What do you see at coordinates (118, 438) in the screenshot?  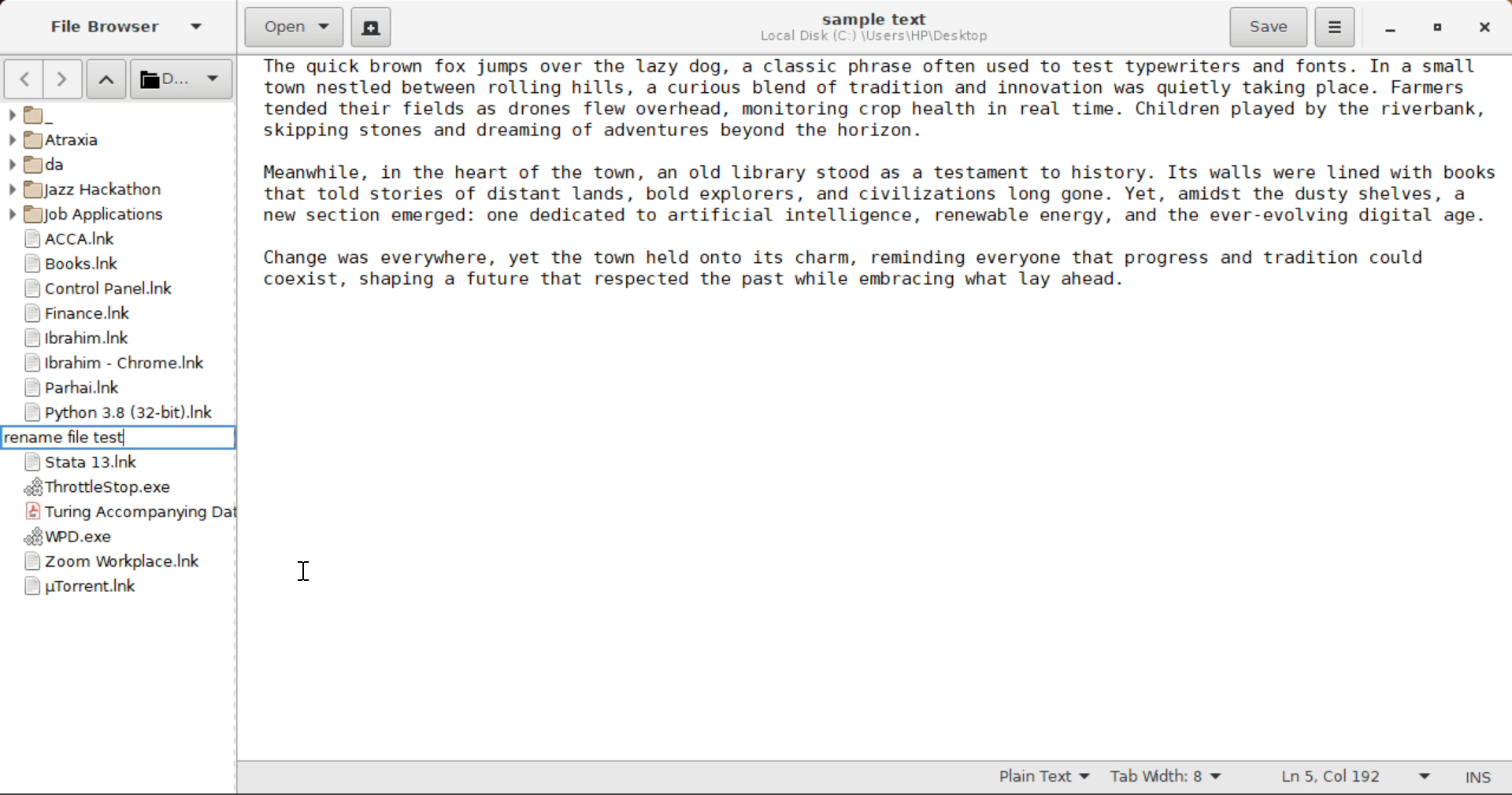 I see `Rename file test` at bounding box center [118, 438].